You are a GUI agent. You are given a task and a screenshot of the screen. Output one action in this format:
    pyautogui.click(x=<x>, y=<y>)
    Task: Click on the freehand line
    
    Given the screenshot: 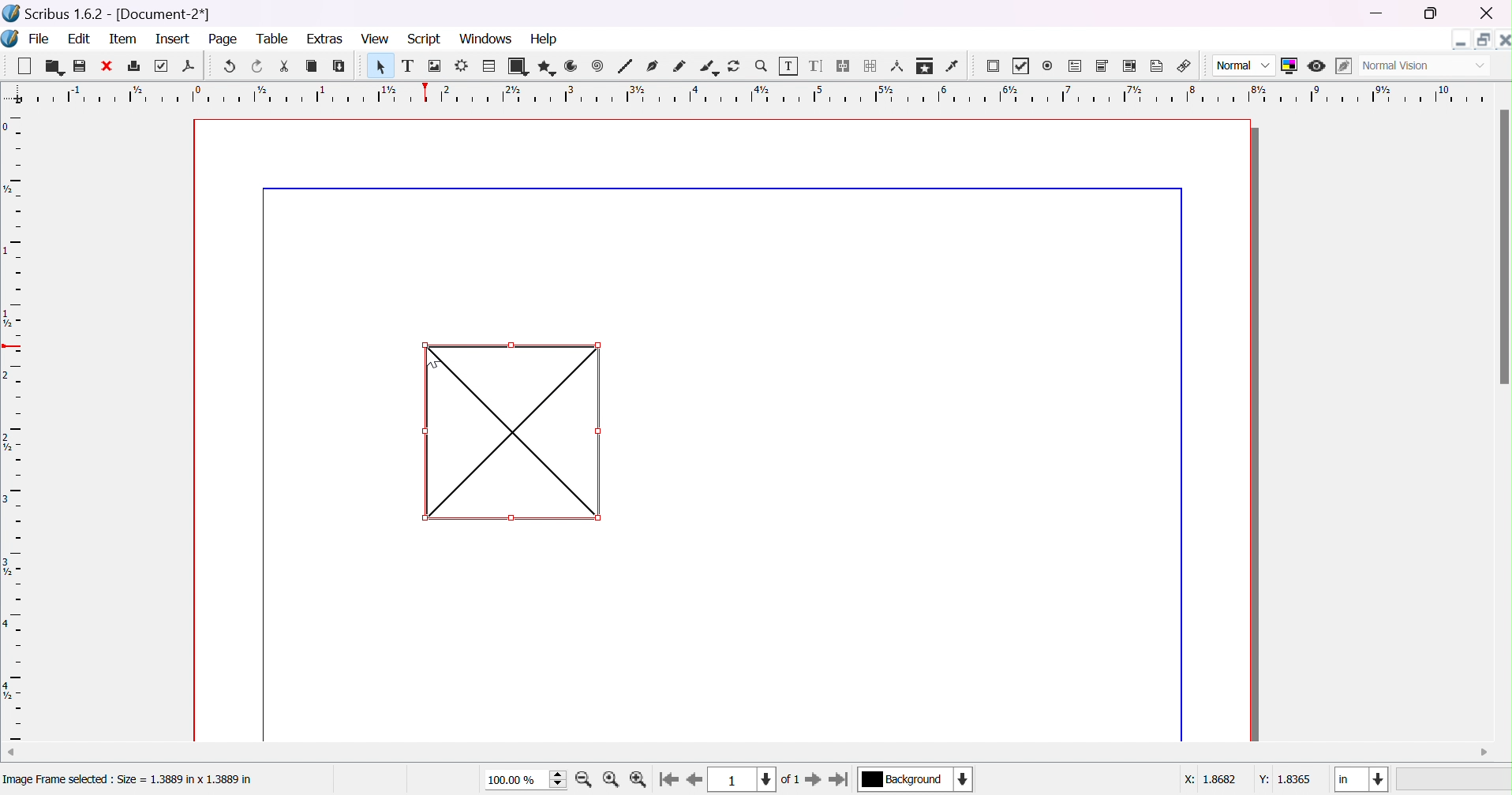 What is the action you would take?
    pyautogui.click(x=679, y=66)
    